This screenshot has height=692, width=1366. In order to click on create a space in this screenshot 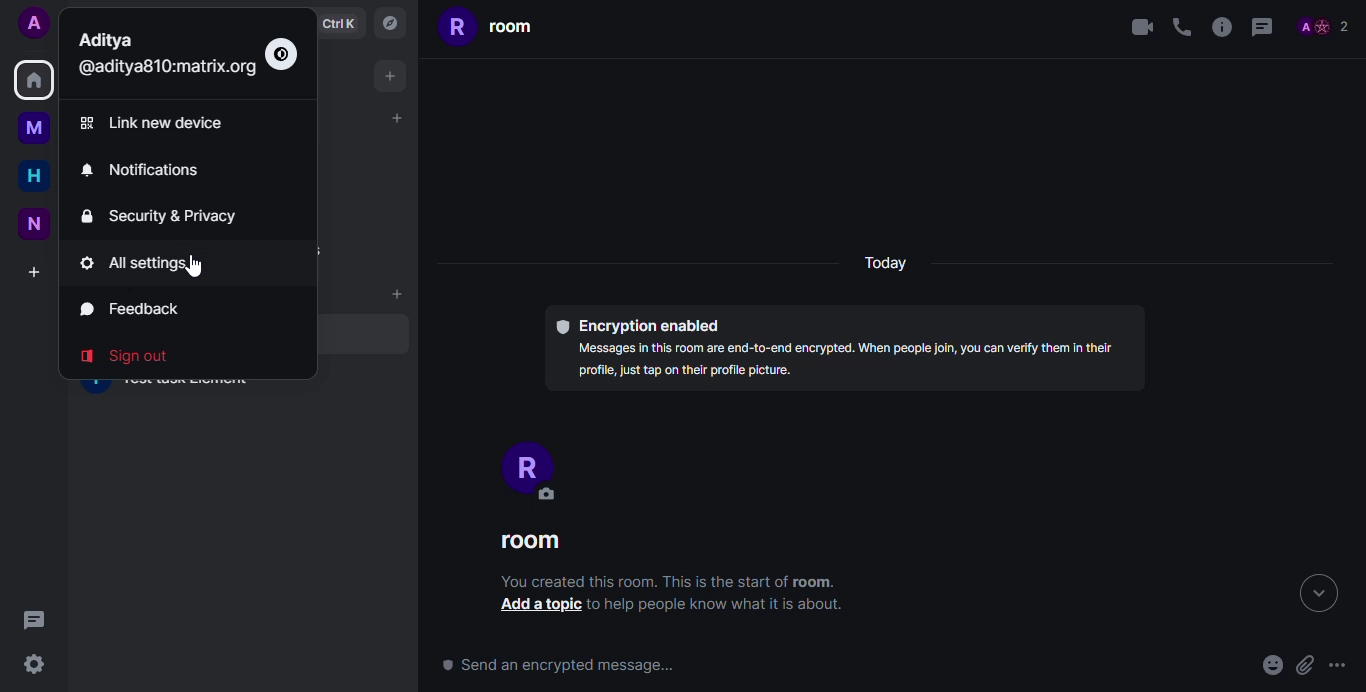, I will do `click(33, 274)`.